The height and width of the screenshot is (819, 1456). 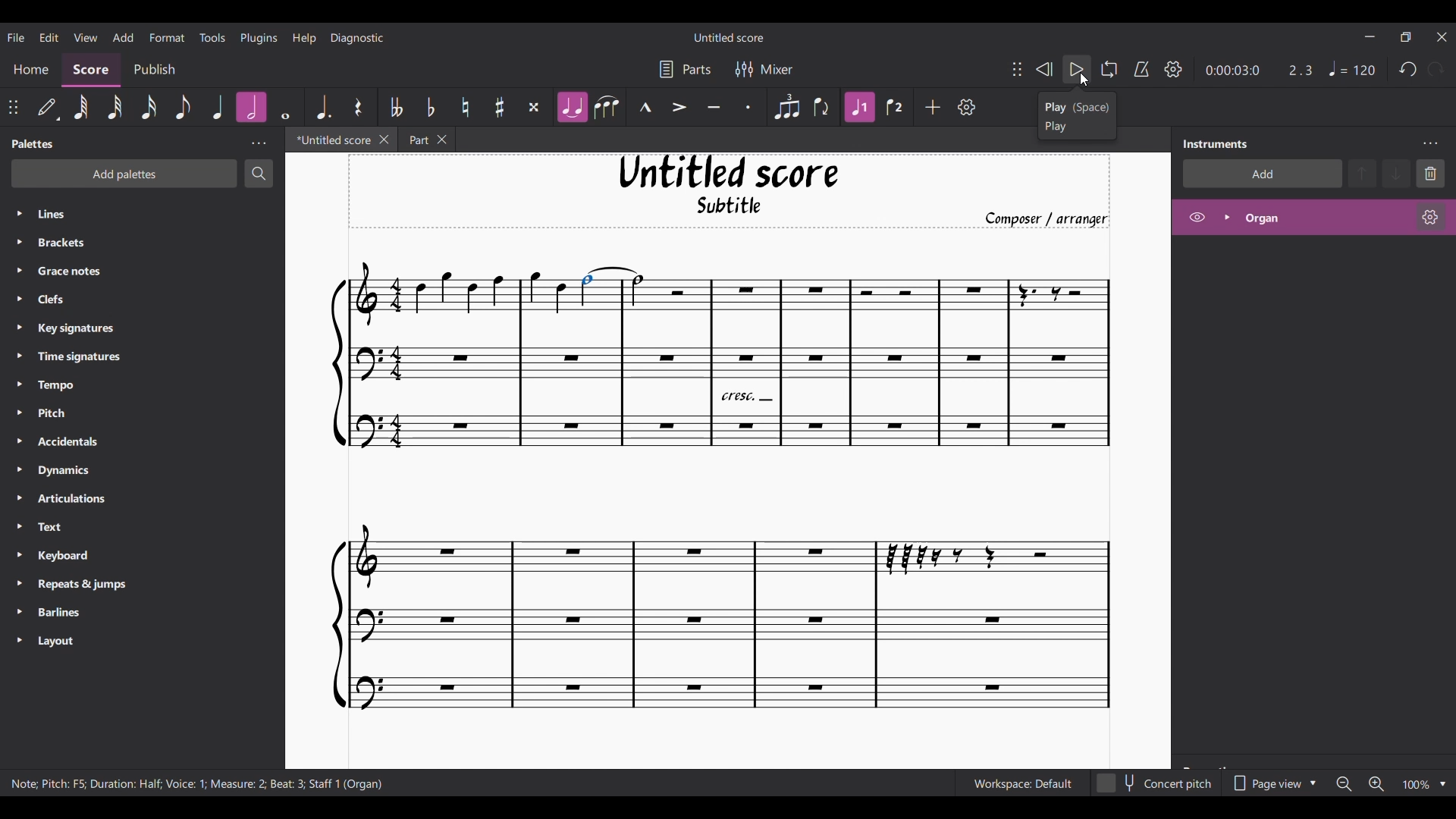 What do you see at coordinates (250, 107) in the screenshot?
I see `Highlighted to form current combination` at bounding box center [250, 107].